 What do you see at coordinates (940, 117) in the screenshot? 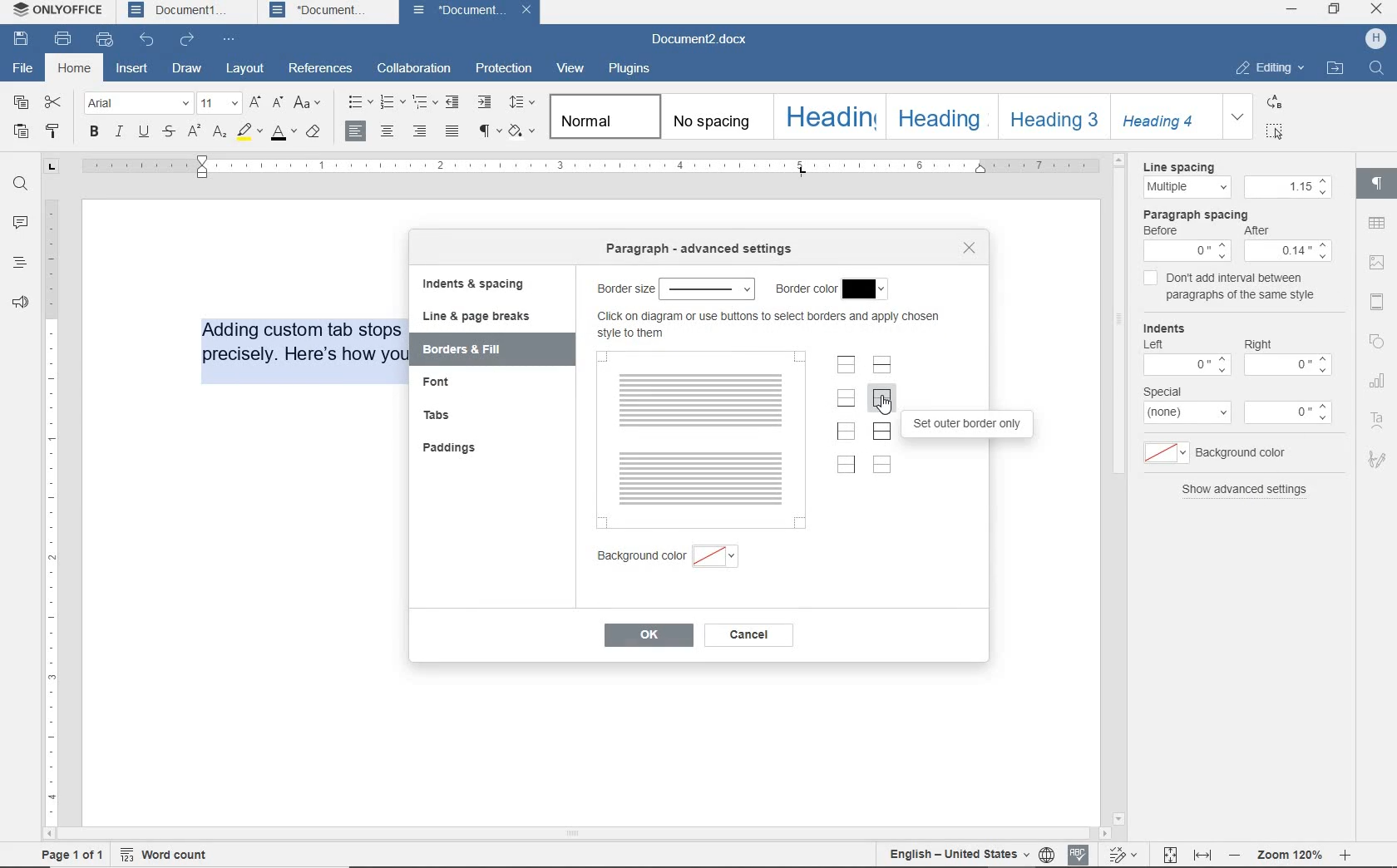
I see `heading 2` at bounding box center [940, 117].